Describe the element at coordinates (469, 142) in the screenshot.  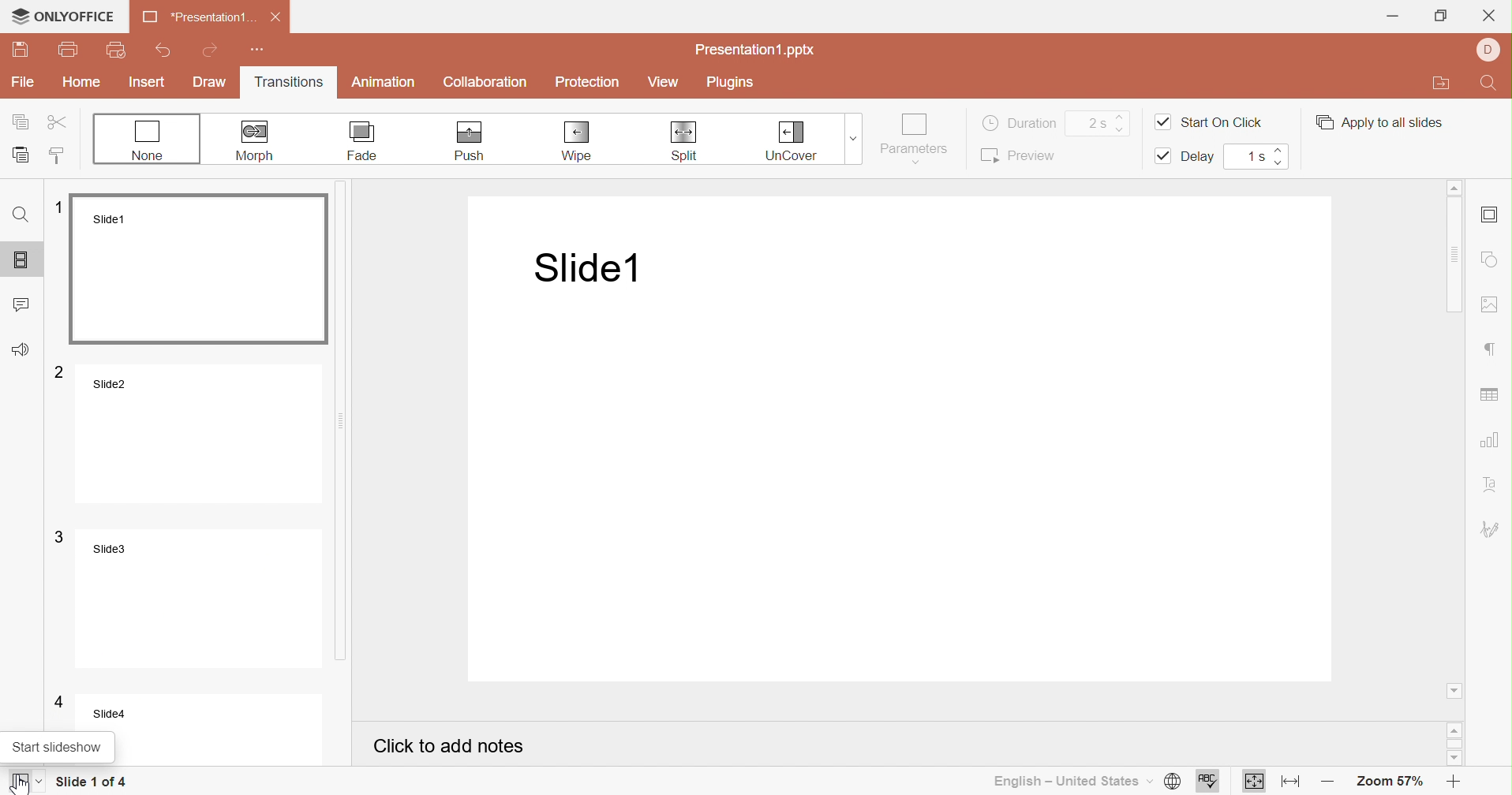
I see `Push` at that location.